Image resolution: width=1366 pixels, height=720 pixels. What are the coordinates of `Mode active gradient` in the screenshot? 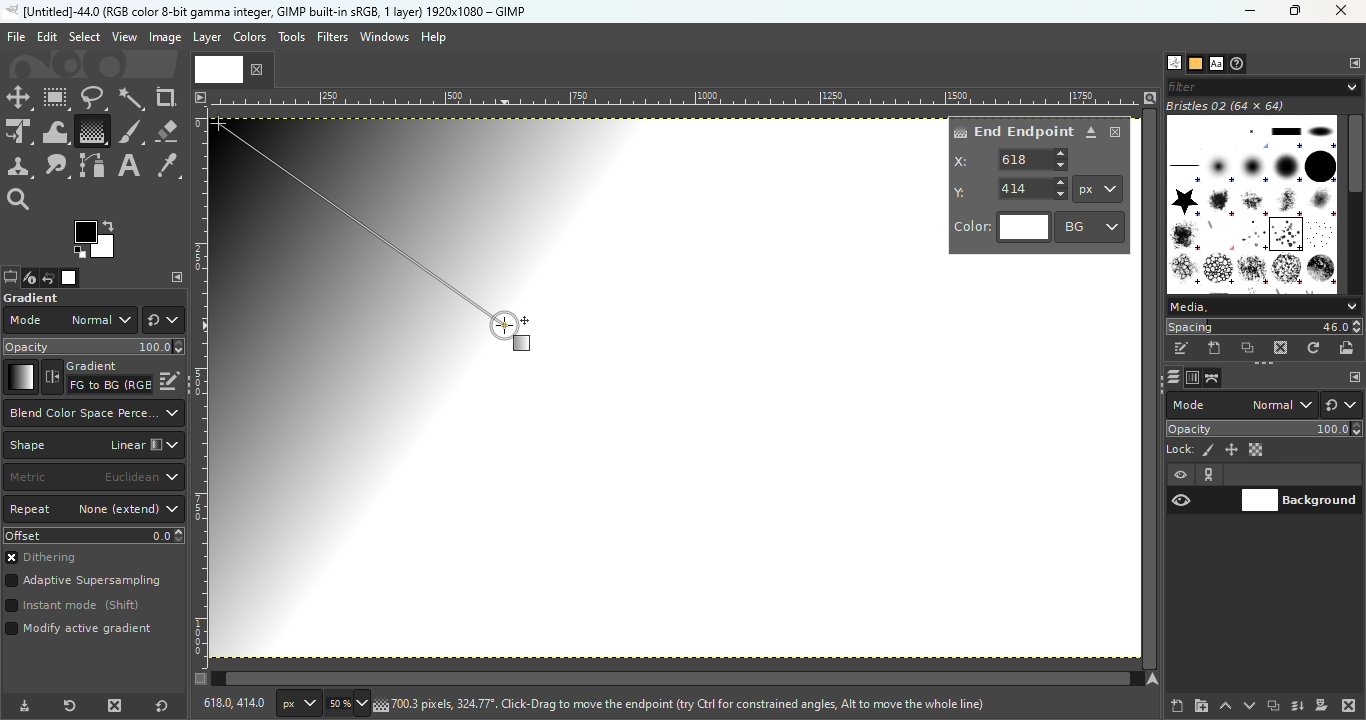 It's located at (82, 633).